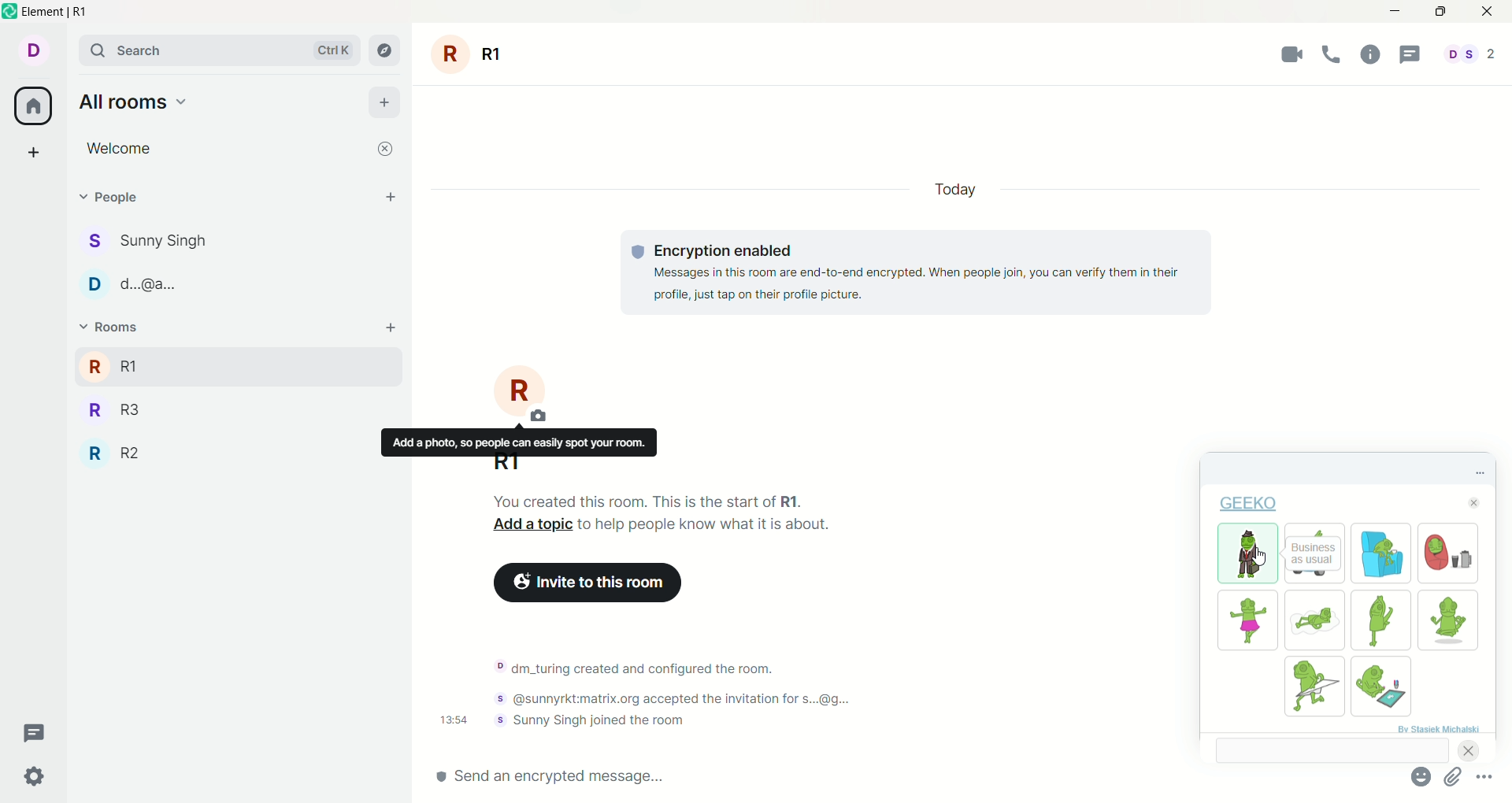  I want to click on Sunny Singh chat, so click(145, 241).